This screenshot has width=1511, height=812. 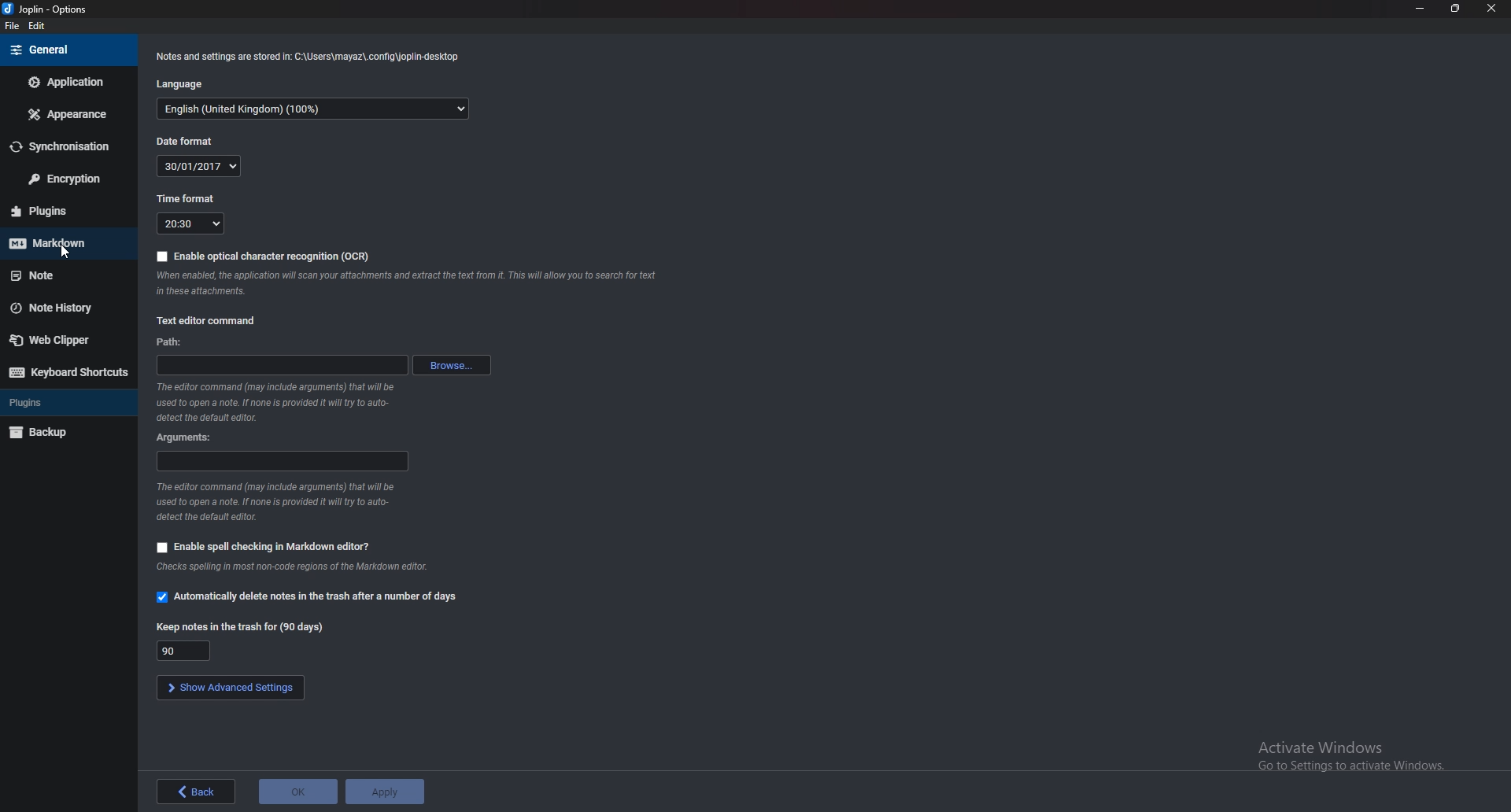 I want to click on close, so click(x=1491, y=9).